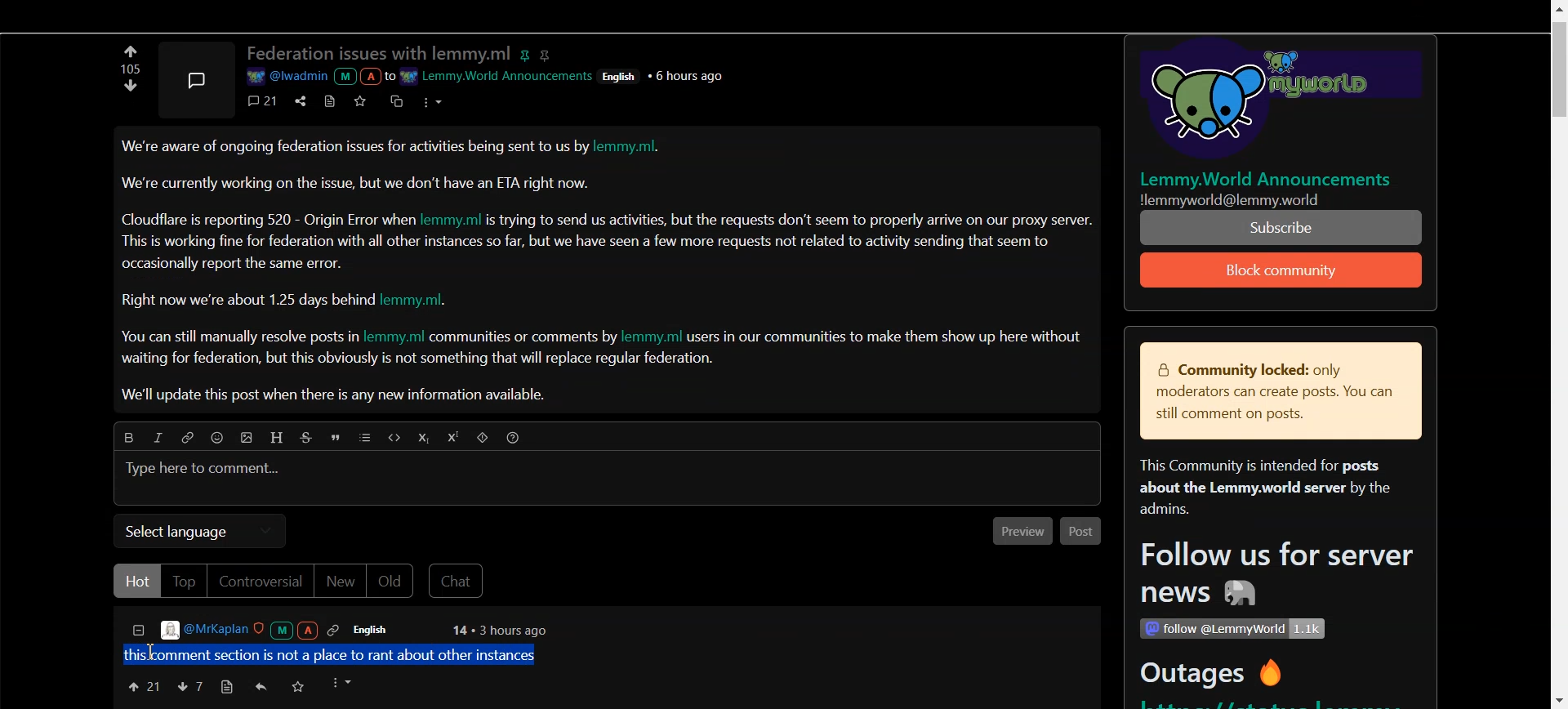 The image size is (1568, 709). I want to click on , so click(1252, 199).